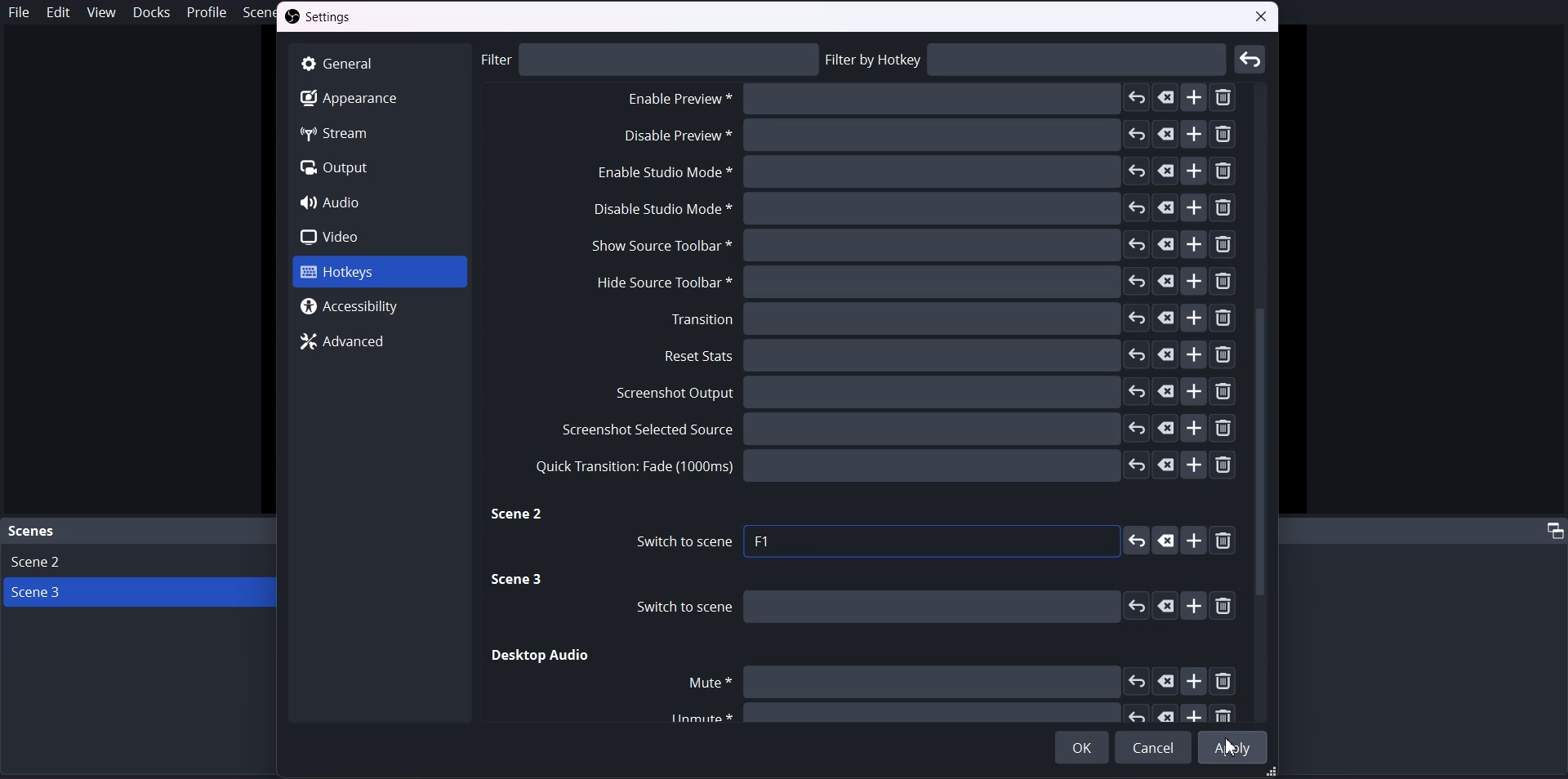 The height and width of the screenshot is (779, 1568). What do you see at coordinates (1227, 541) in the screenshot?
I see `delete` at bounding box center [1227, 541].